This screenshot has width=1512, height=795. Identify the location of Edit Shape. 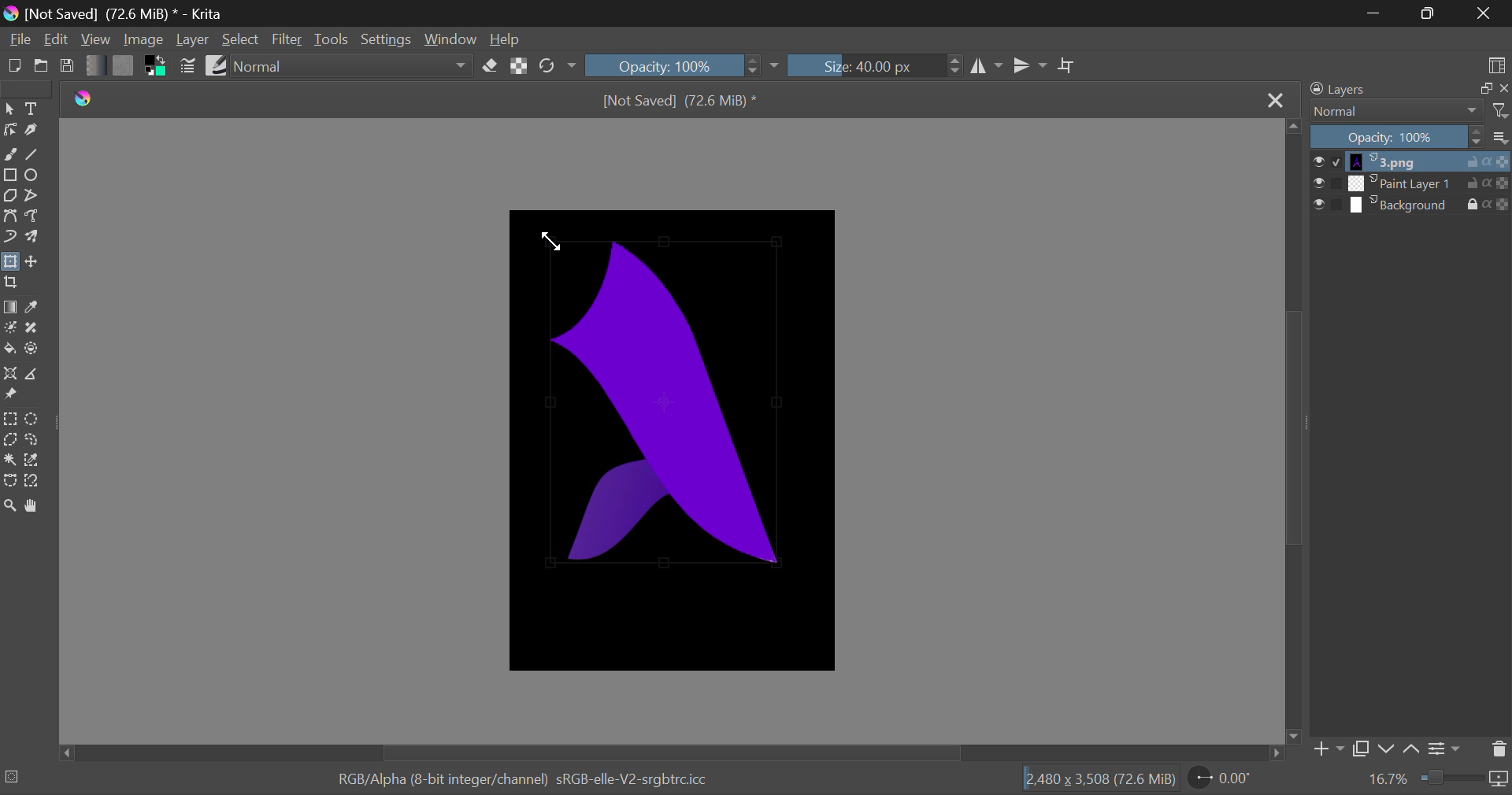
(10, 130).